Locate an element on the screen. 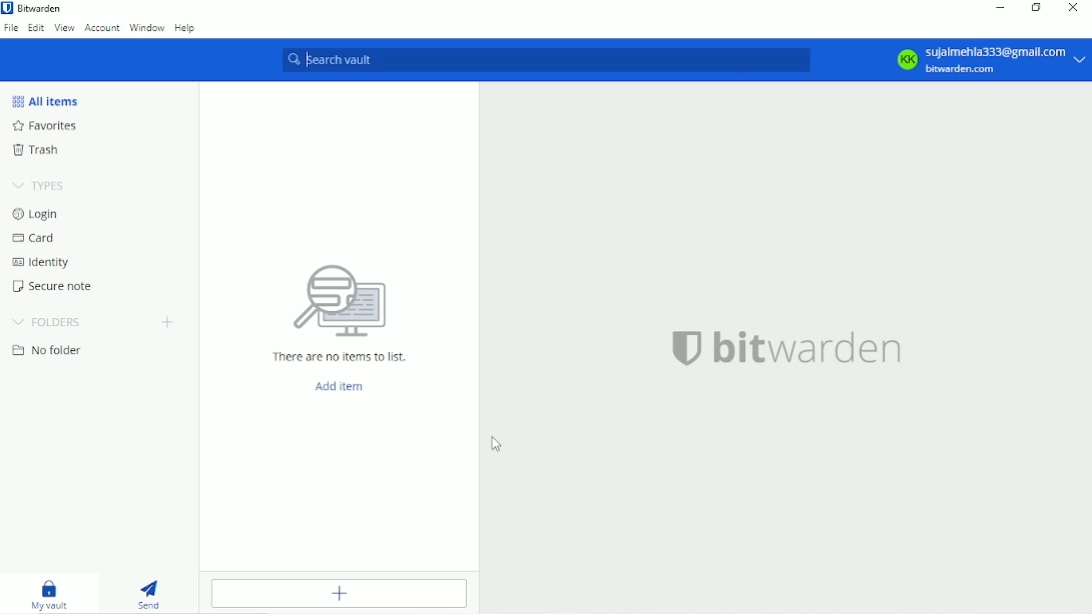 This screenshot has height=614, width=1092. There are no items to list is located at coordinates (345, 357).